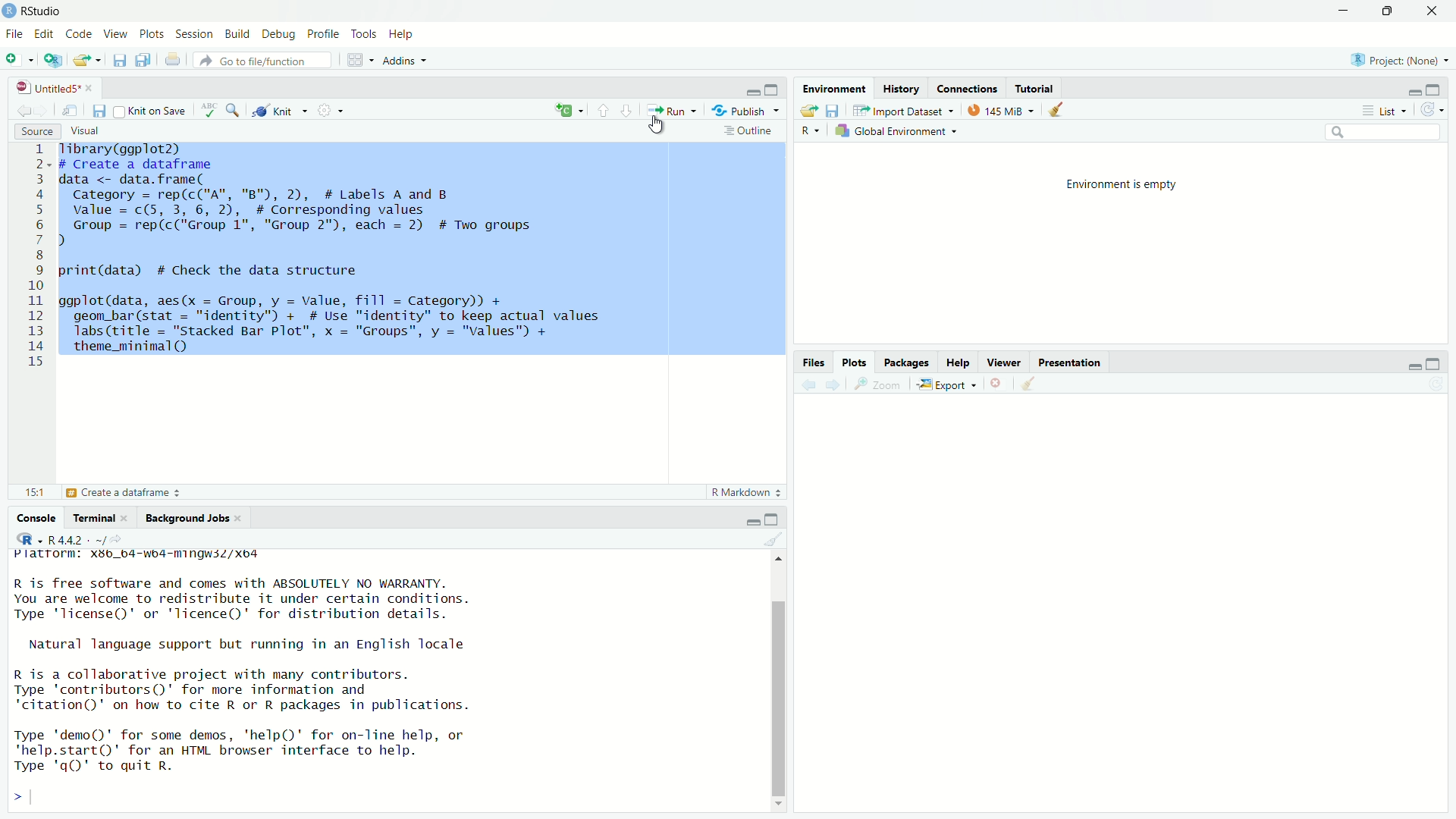  Describe the element at coordinates (808, 108) in the screenshot. I see `Load workspace` at that location.